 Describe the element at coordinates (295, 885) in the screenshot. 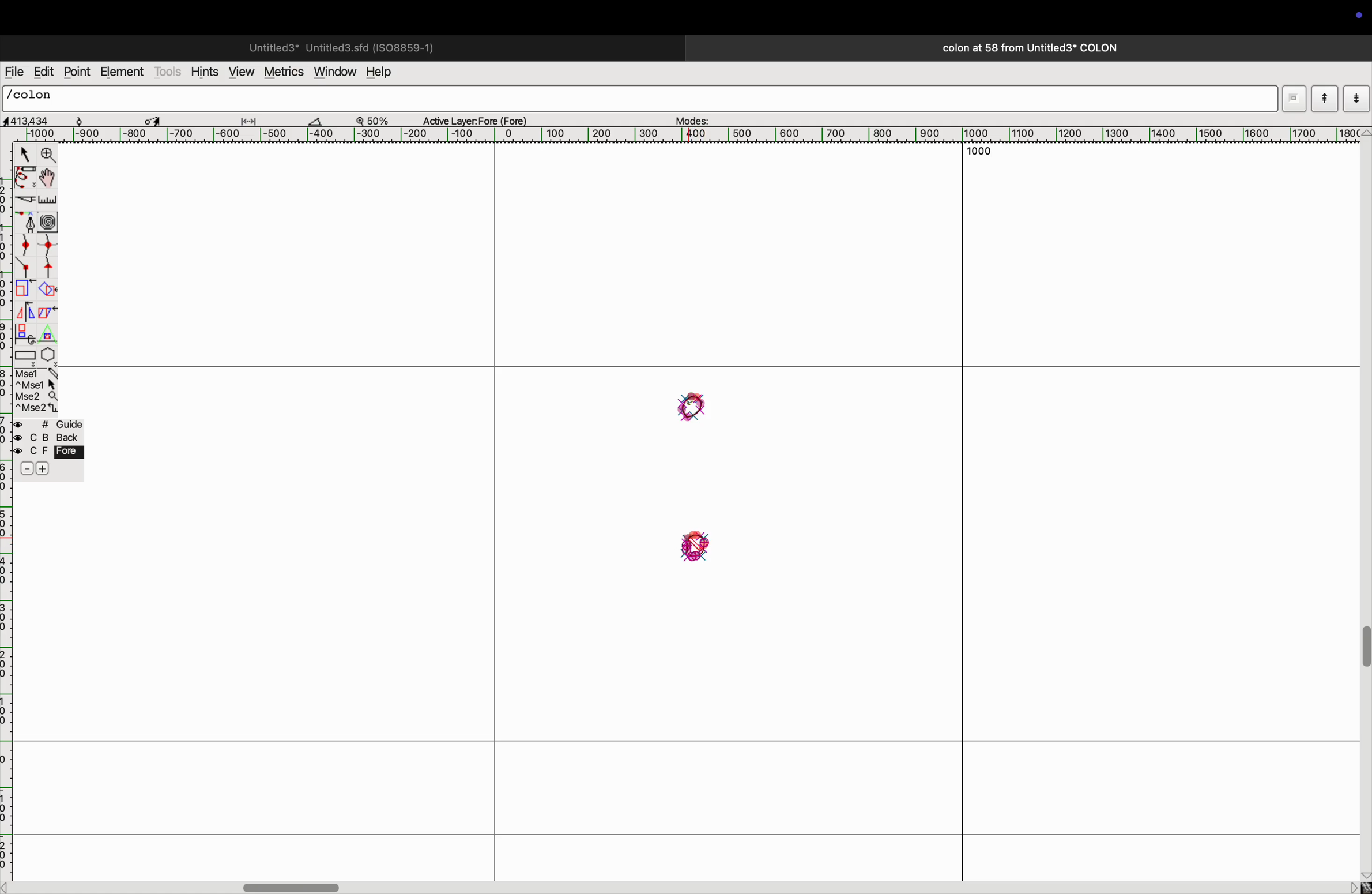

I see `toggle` at that location.